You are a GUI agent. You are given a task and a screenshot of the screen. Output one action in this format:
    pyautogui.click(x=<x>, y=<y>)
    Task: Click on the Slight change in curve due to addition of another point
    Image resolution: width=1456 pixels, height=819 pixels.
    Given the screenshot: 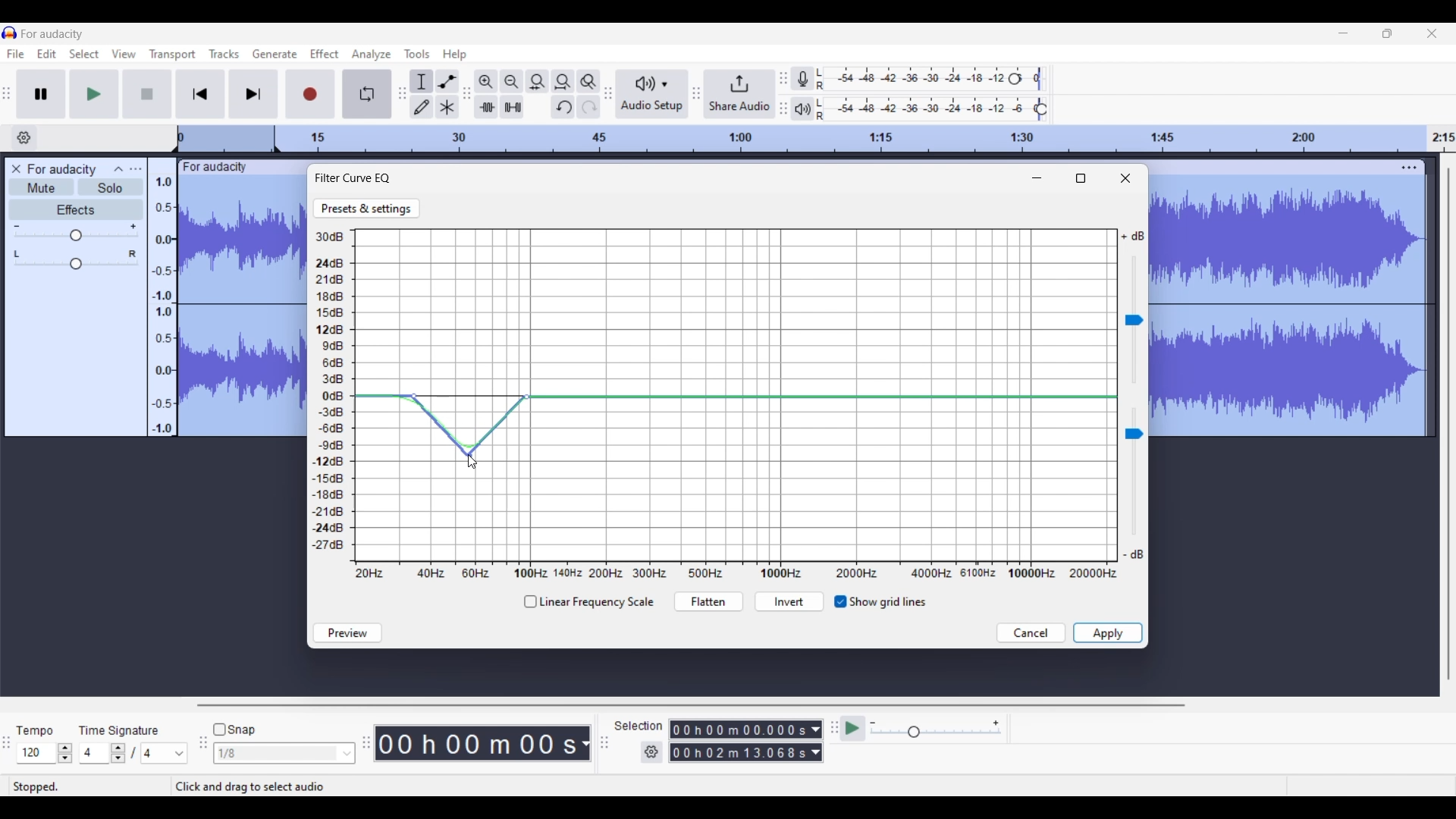 What is the action you would take?
    pyautogui.click(x=470, y=397)
    